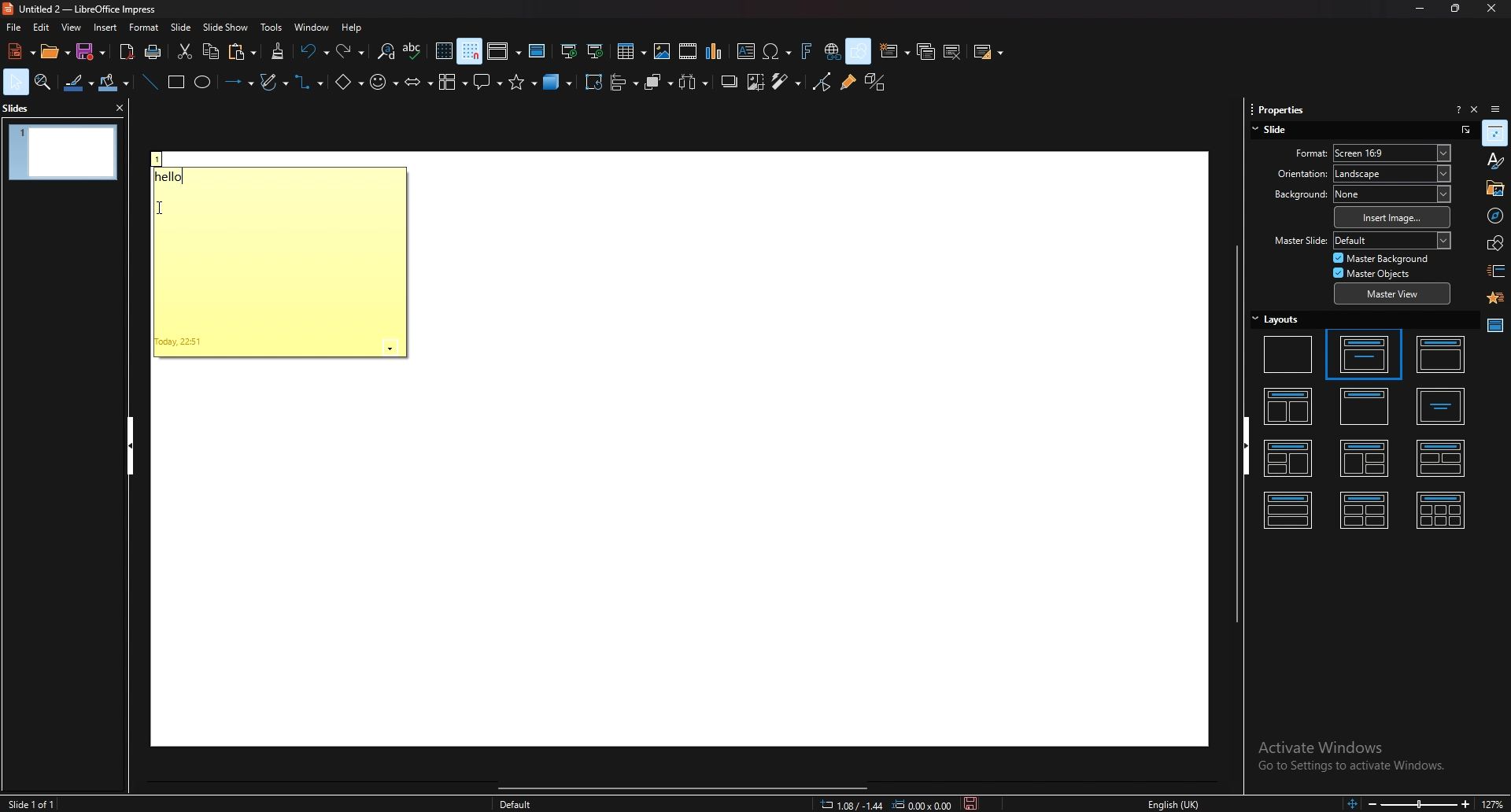 The height and width of the screenshot is (812, 1511). What do you see at coordinates (390, 349) in the screenshot?
I see `comment box options` at bounding box center [390, 349].